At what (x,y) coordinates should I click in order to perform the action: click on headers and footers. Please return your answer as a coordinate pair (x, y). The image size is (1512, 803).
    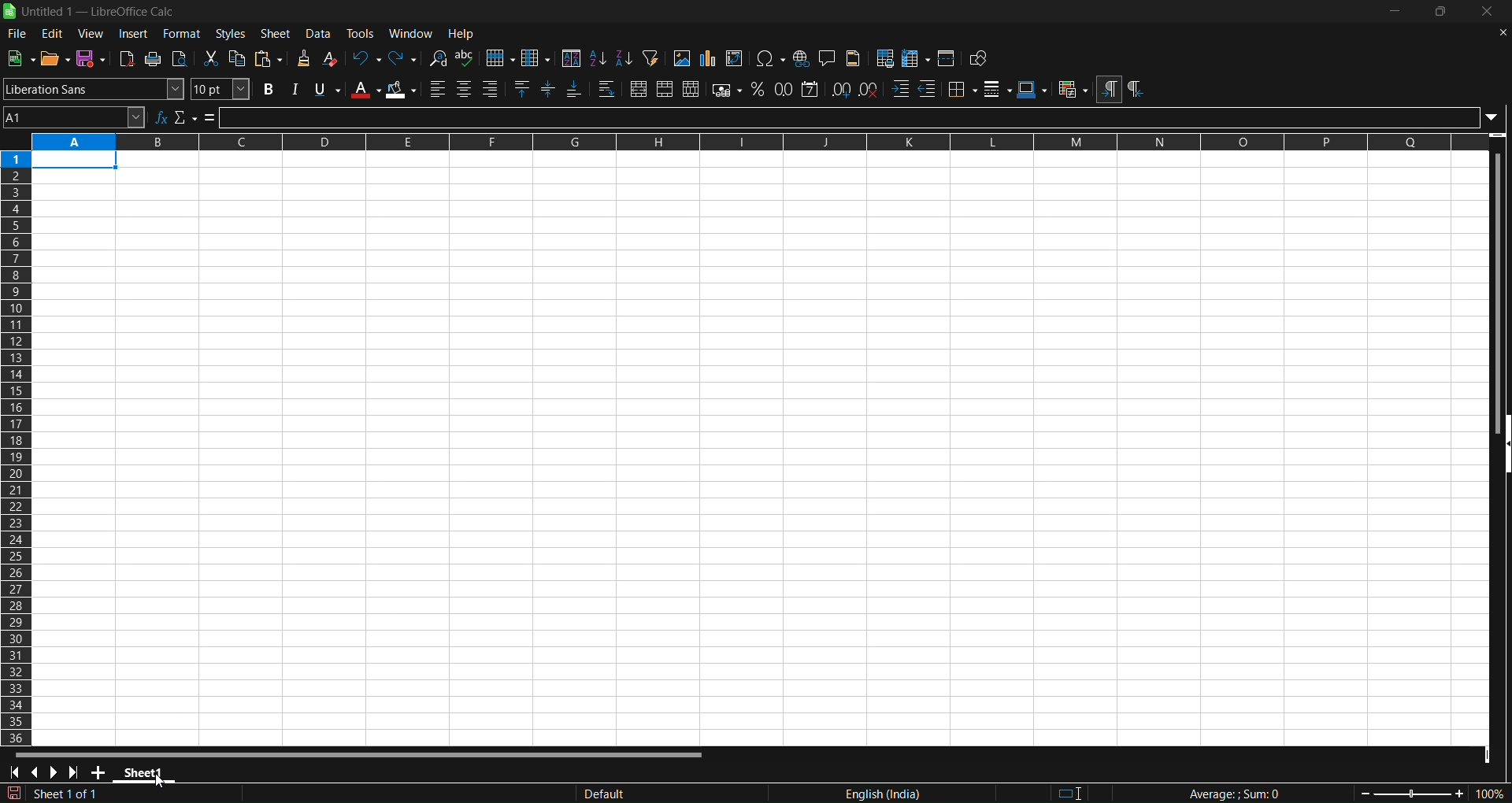
    Looking at the image, I should click on (855, 58).